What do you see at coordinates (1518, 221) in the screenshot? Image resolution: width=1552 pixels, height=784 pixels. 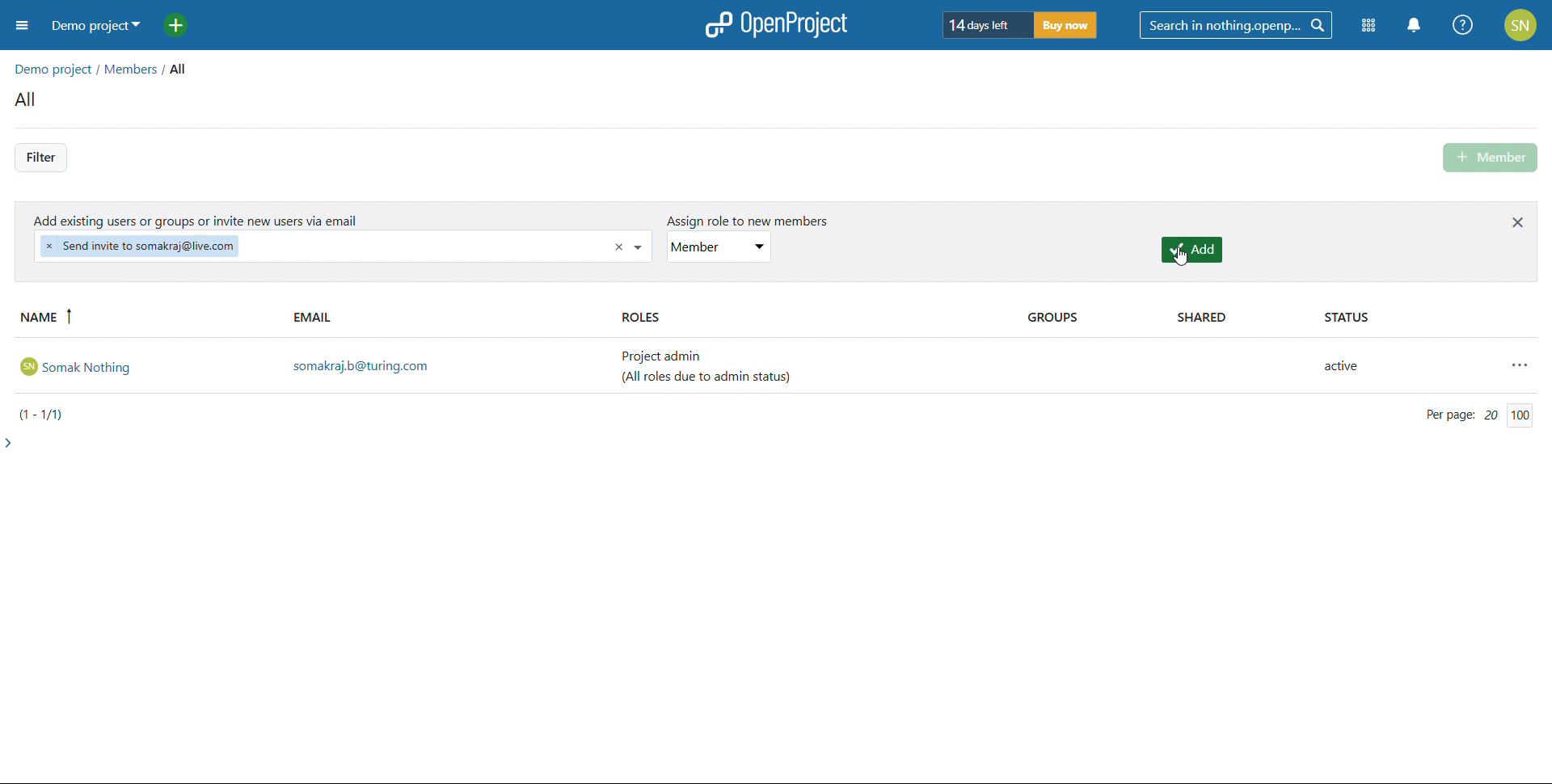 I see `close` at bounding box center [1518, 221].